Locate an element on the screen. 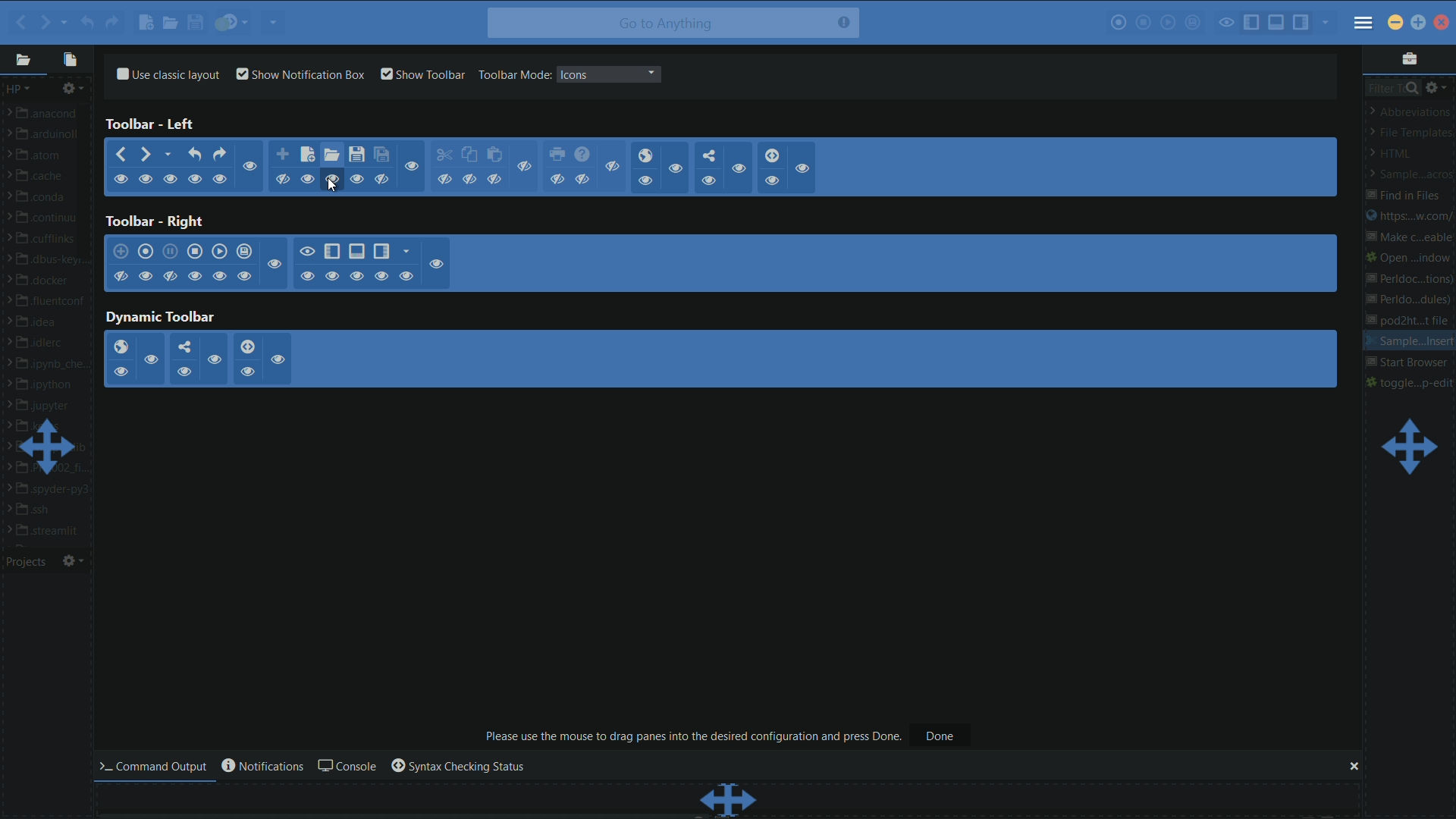  show/hide left pane is located at coordinates (331, 251).